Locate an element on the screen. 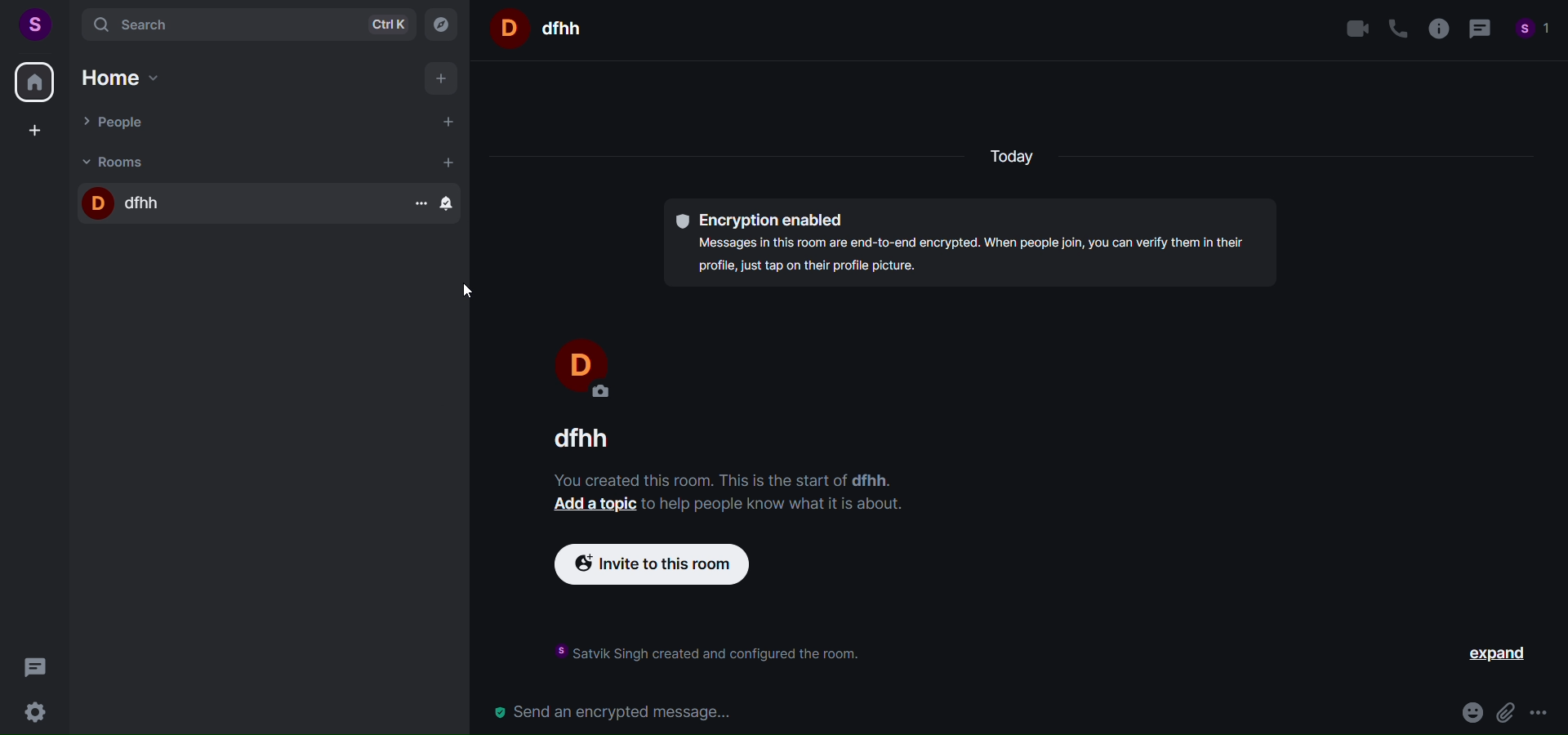 The height and width of the screenshot is (735, 1568). add room is located at coordinates (447, 161).